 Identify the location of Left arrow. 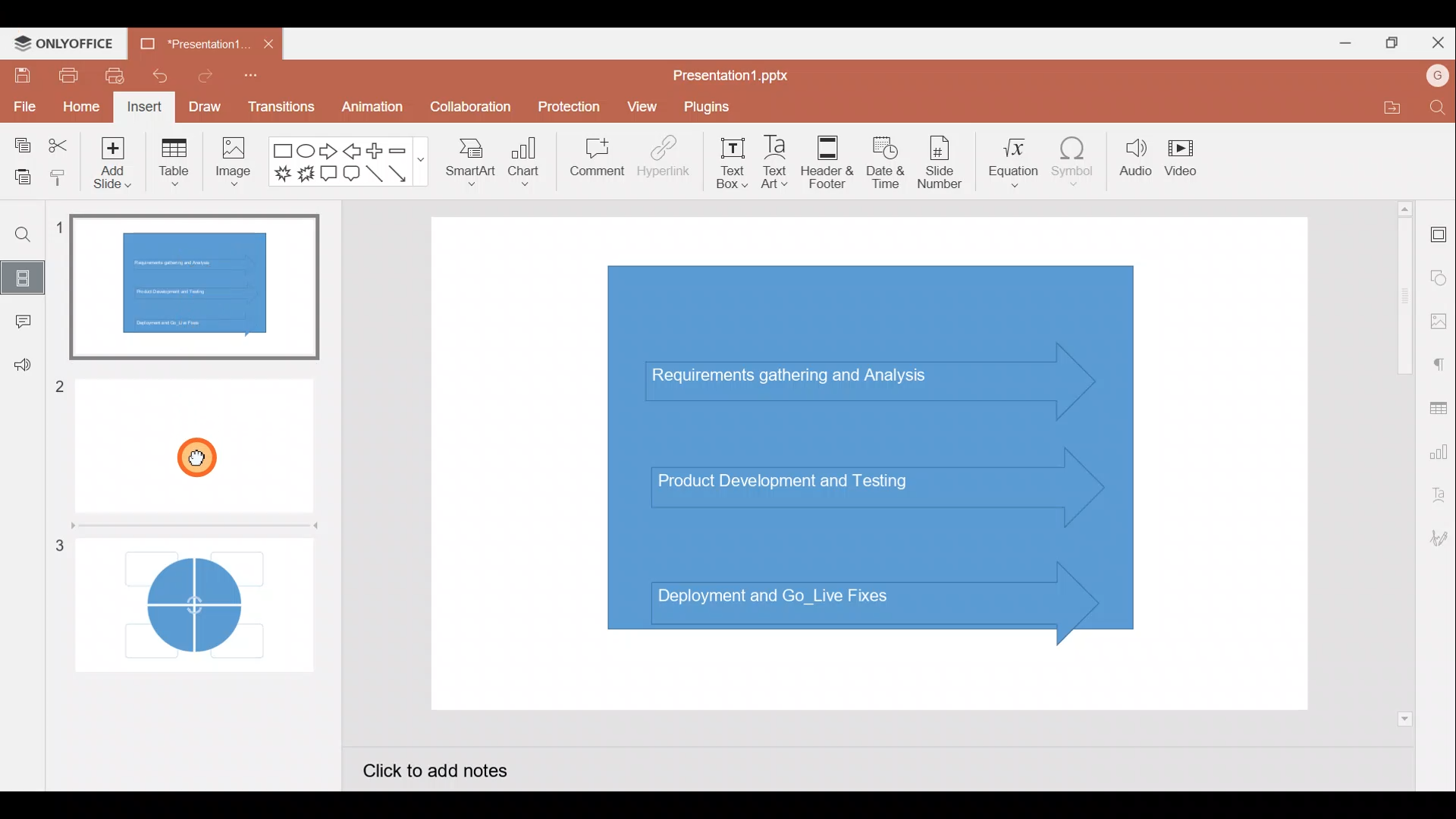
(351, 152).